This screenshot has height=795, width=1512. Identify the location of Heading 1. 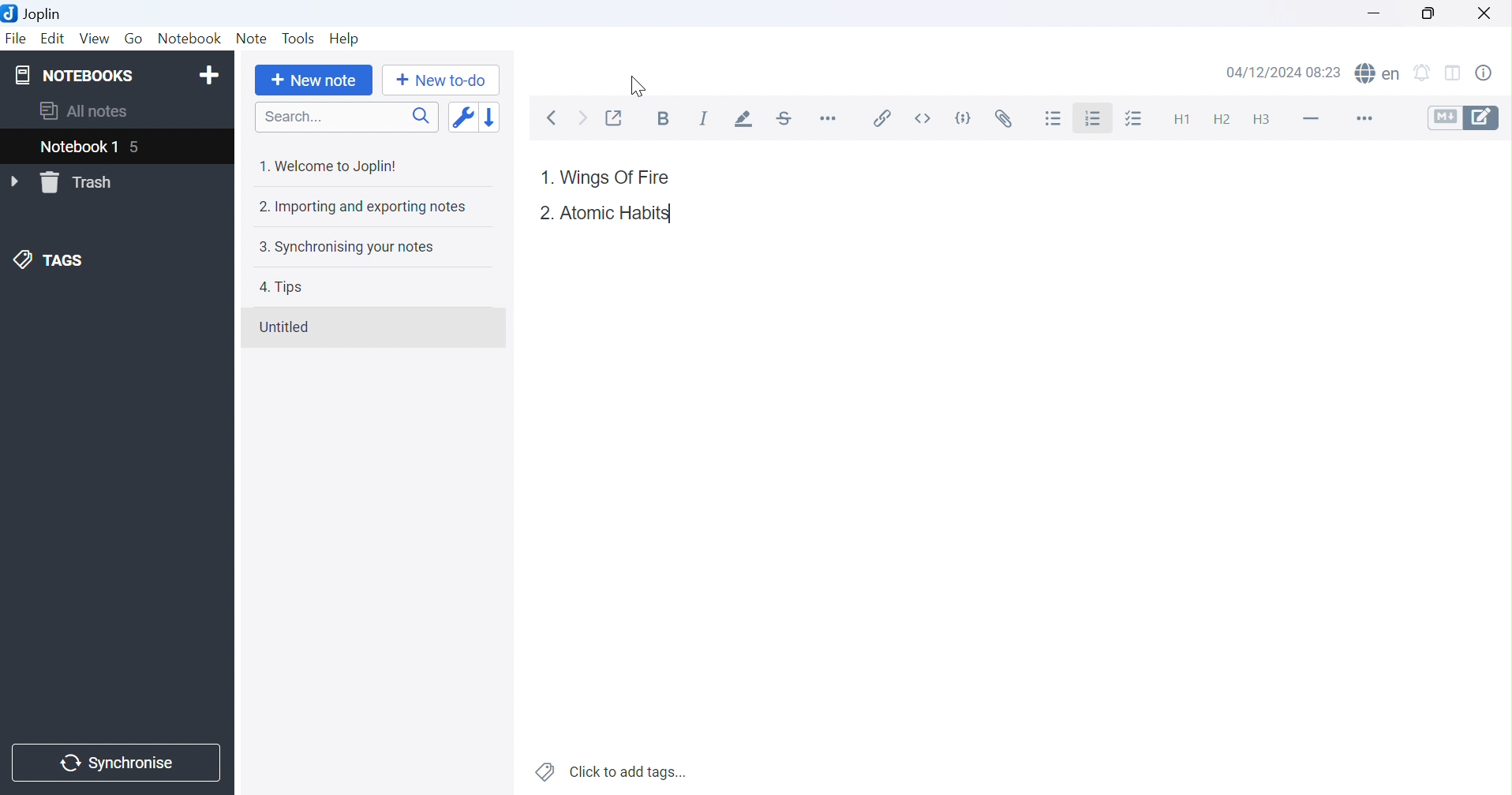
(1178, 119).